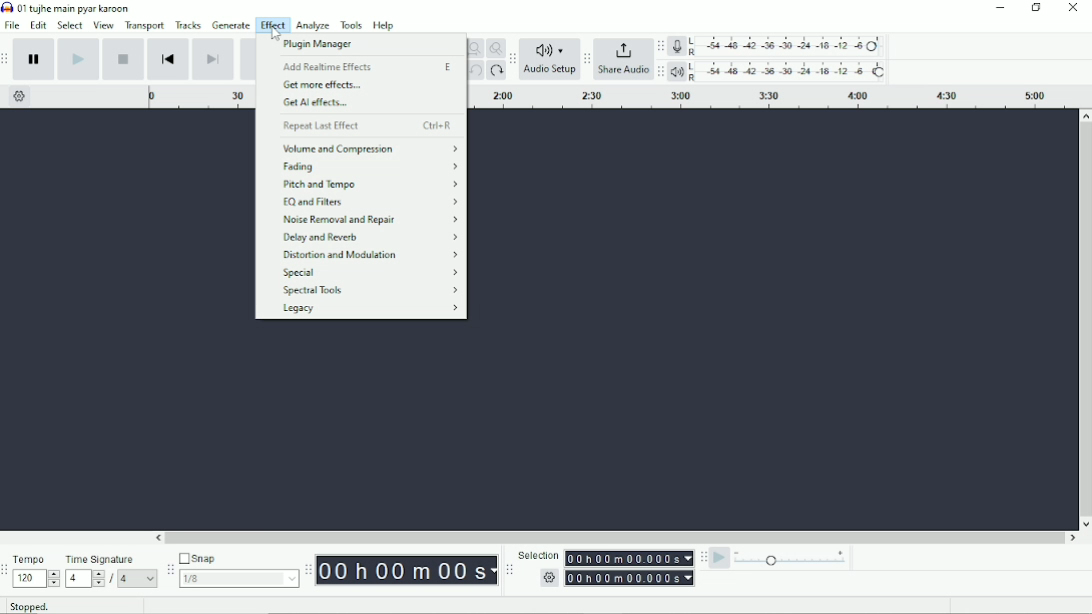 This screenshot has height=614, width=1092. Describe the element at coordinates (605, 569) in the screenshot. I see `Selection` at that location.